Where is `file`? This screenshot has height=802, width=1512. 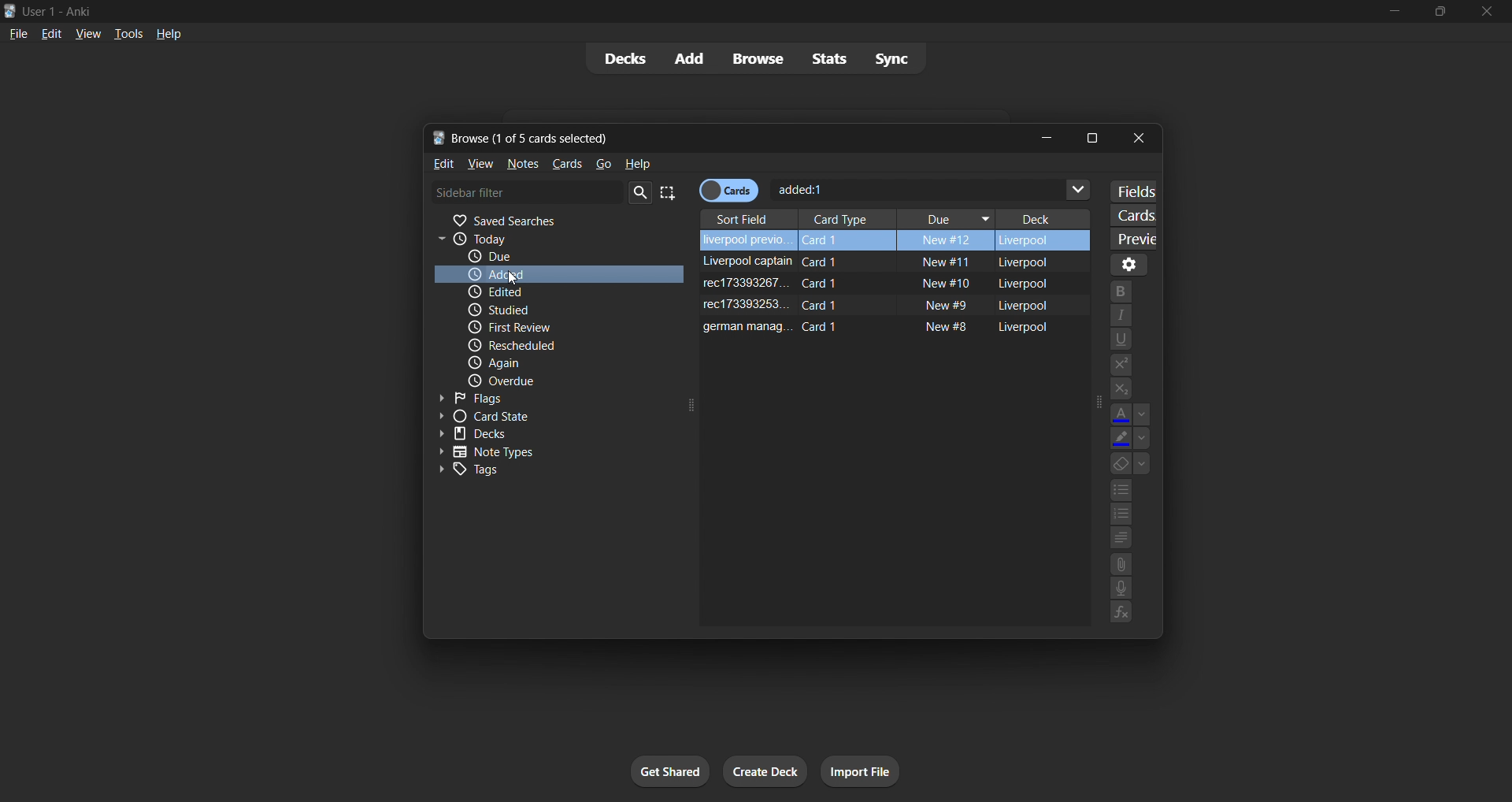 file is located at coordinates (17, 32).